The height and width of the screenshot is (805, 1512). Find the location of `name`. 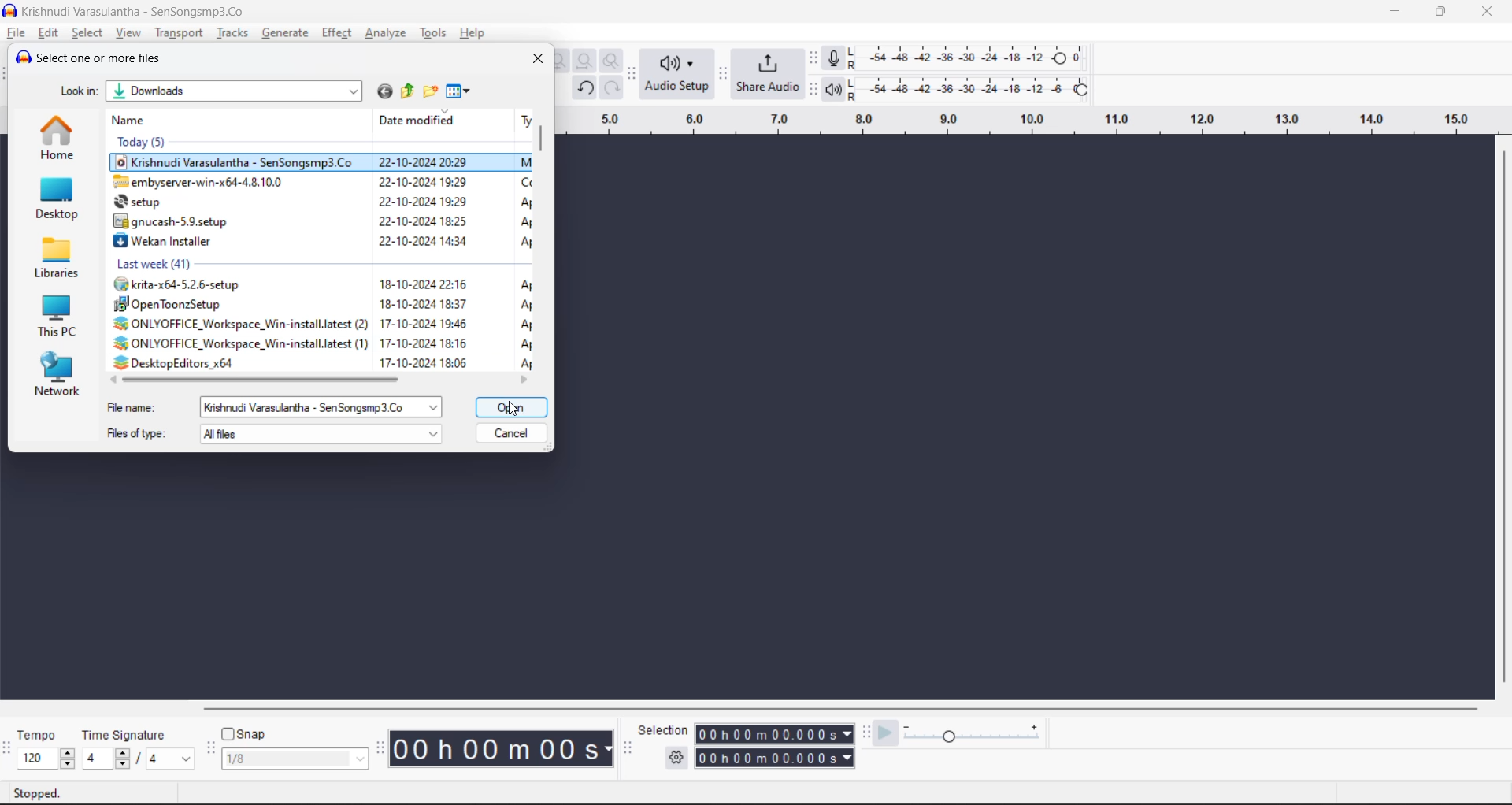

name is located at coordinates (133, 119).